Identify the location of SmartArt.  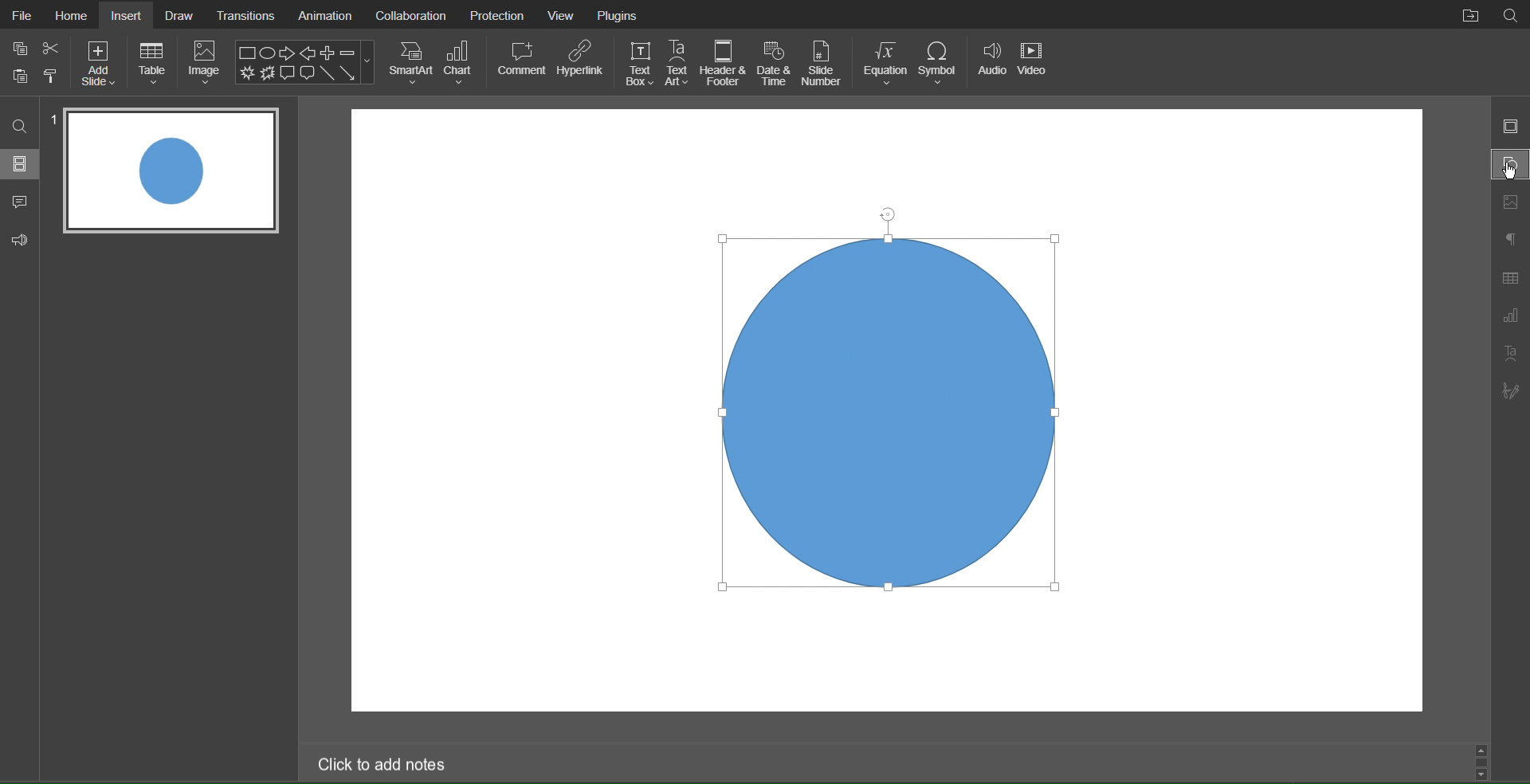
(410, 63).